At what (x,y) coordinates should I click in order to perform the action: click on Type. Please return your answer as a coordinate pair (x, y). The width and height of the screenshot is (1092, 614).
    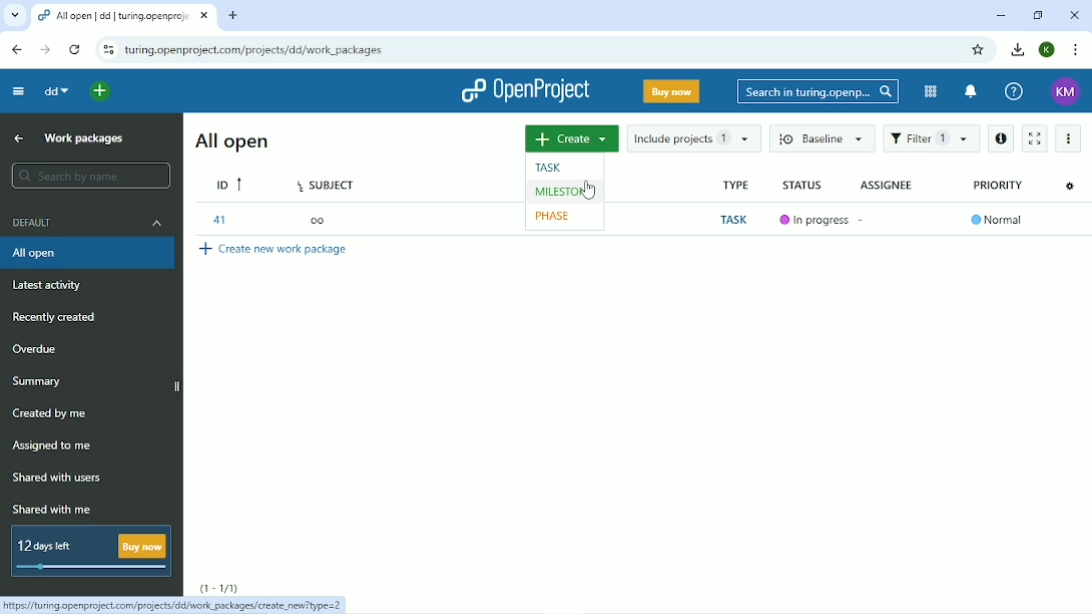
    Looking at the image, I should click on (737, 185).